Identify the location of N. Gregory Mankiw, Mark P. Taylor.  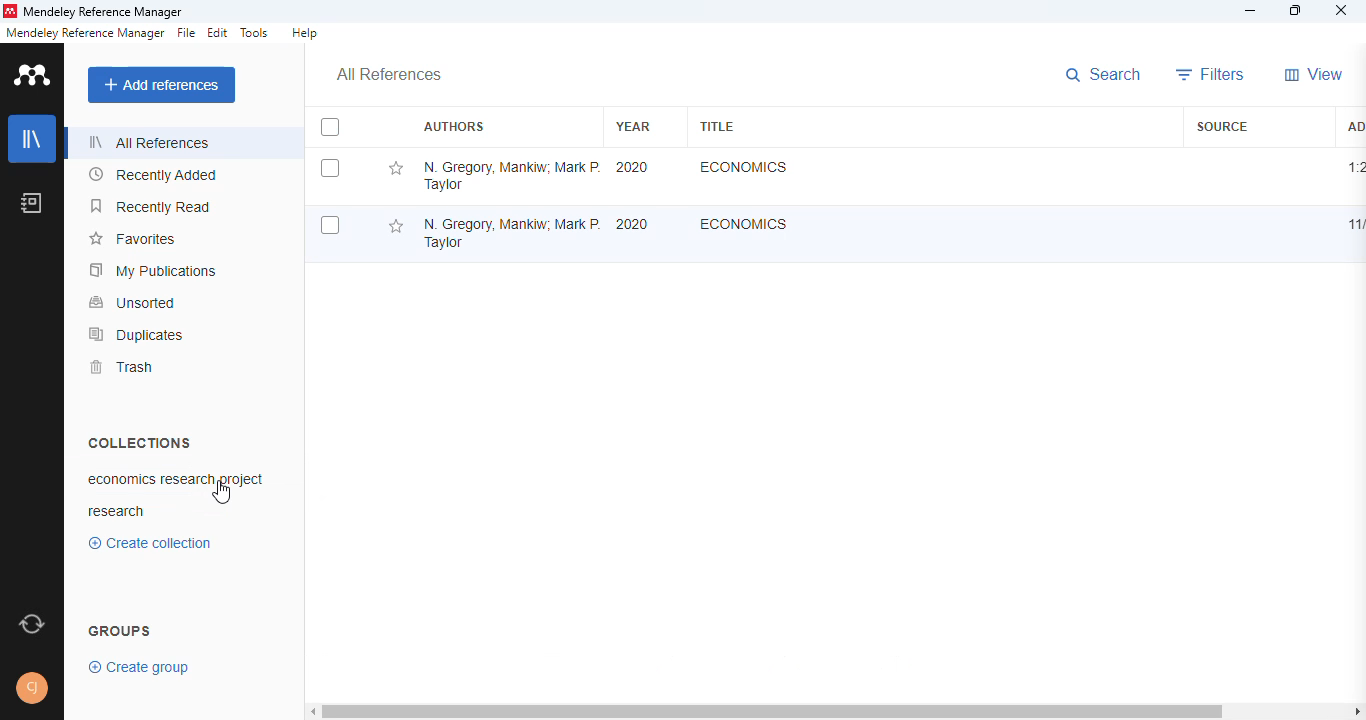
(508, 228).